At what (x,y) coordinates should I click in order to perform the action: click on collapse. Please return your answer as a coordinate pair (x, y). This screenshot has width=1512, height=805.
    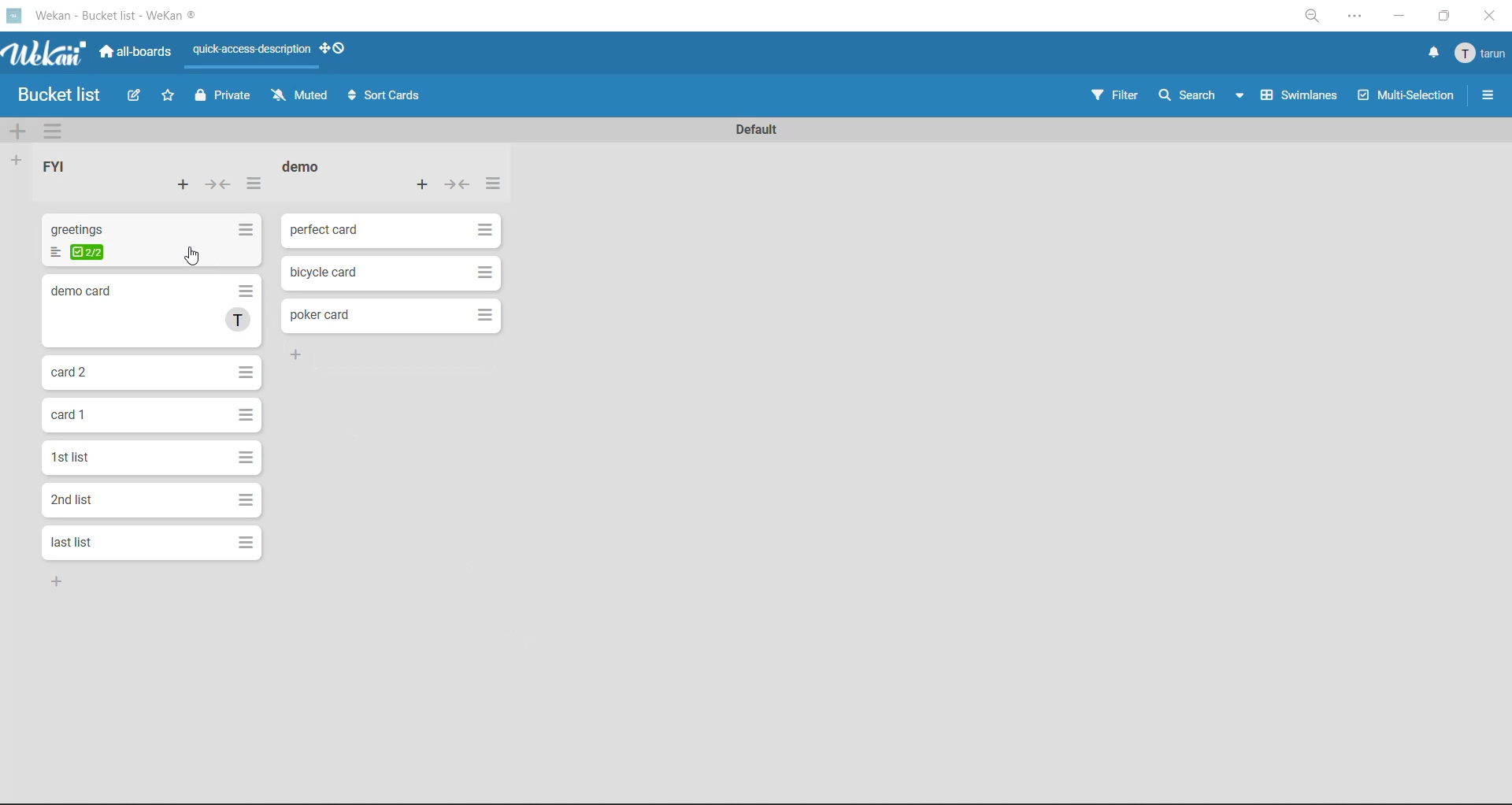
    Looking at the image, I should click on (218, 184).